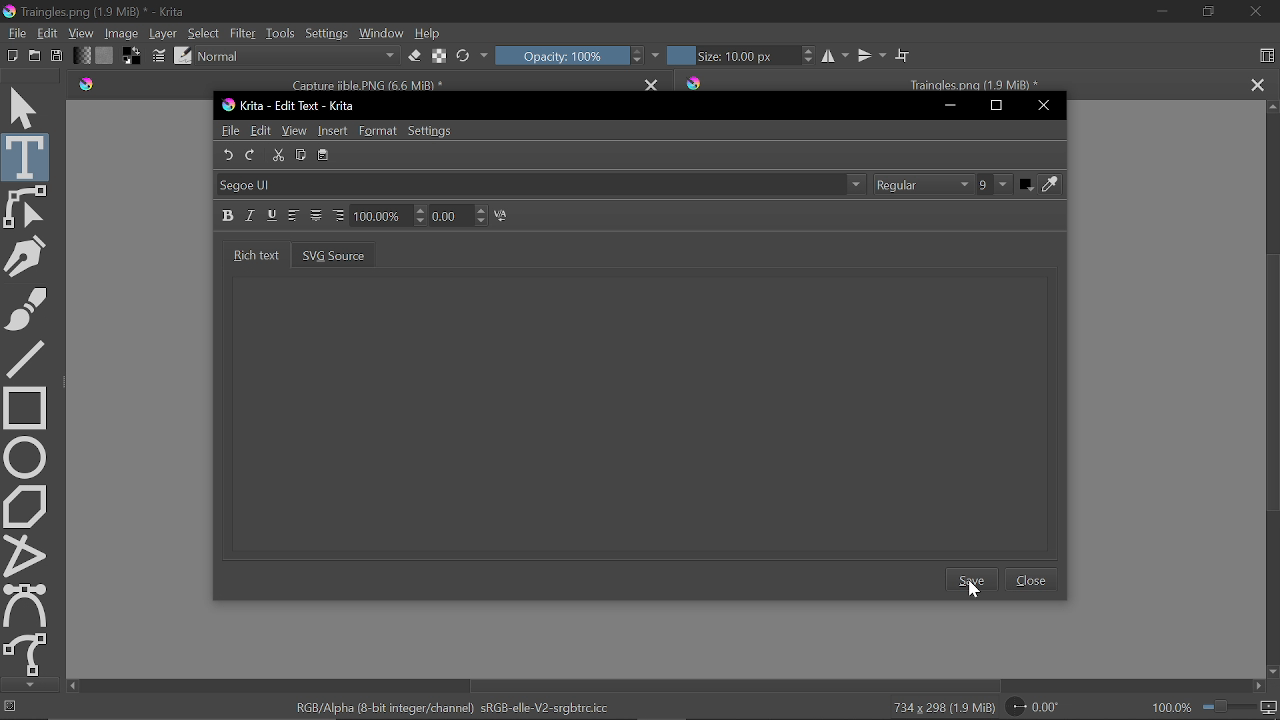 Image resolution: width=1280 pixels, height=720 pixels. What do you see at coordinates (231, 132) in the screenshot?
I see `File` at bounding box center [231, 132].